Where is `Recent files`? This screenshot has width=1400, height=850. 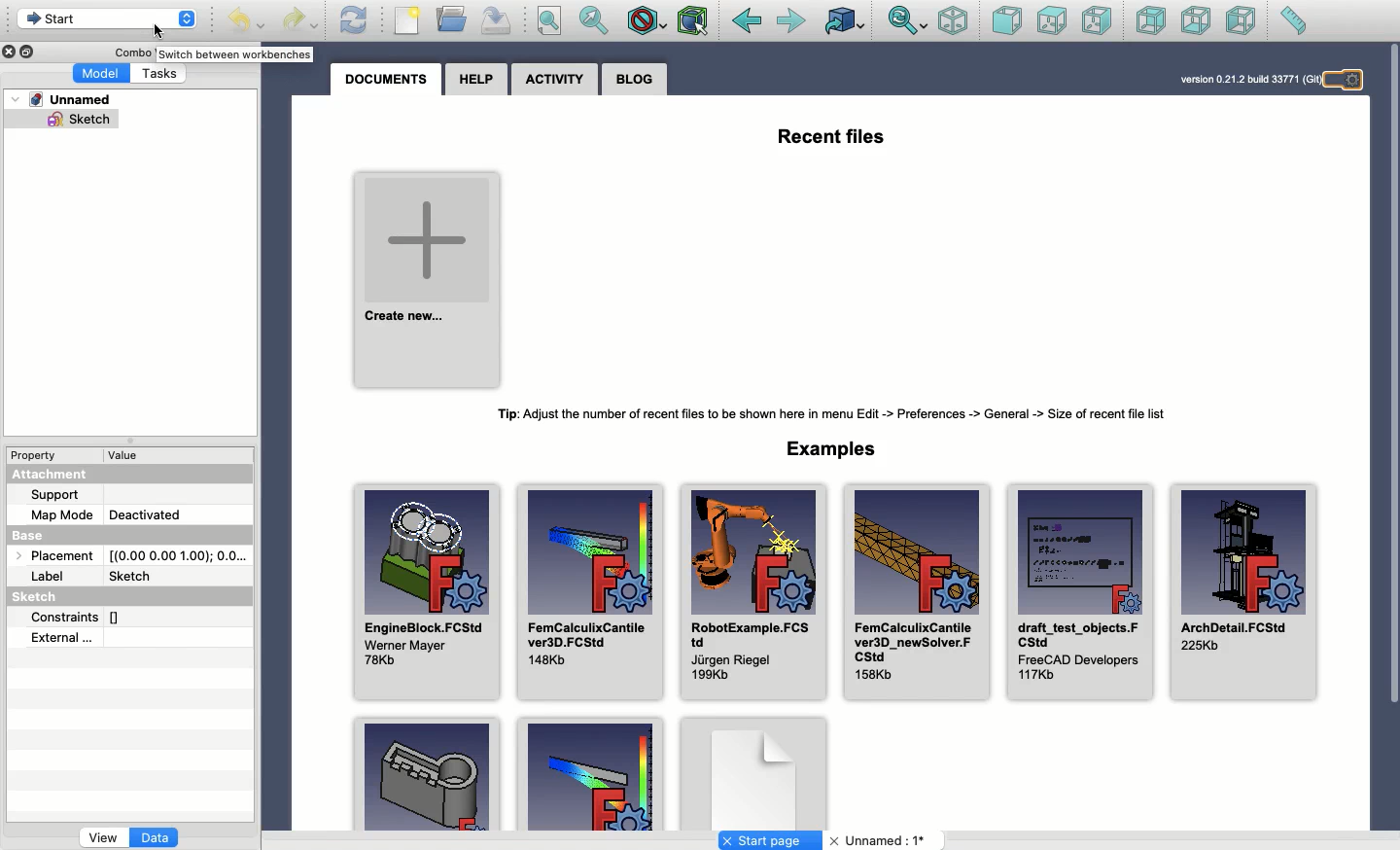
Recent files is located at coordinates (833, 138).